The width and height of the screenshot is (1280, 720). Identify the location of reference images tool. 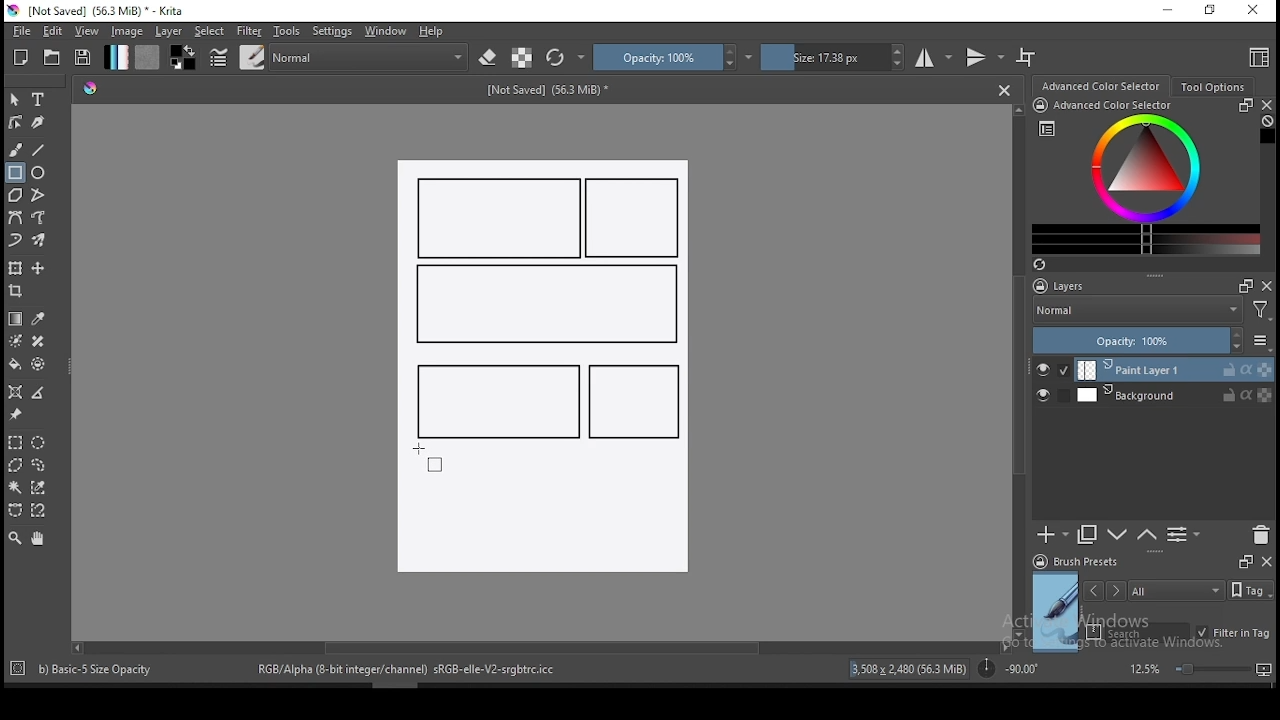
(14, 415).